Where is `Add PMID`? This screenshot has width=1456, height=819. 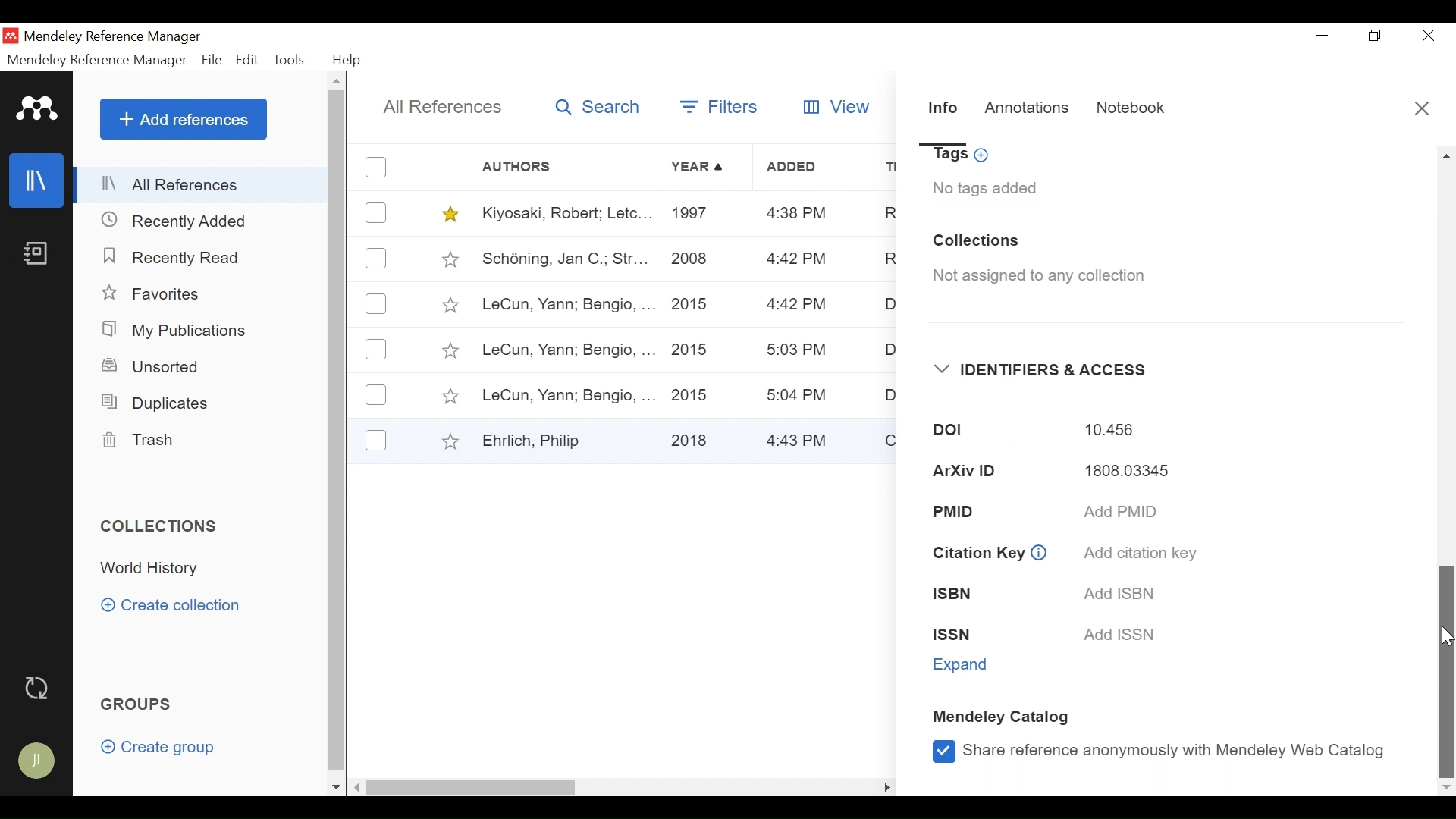 Add PMID is located at coordinates (1122, 513).